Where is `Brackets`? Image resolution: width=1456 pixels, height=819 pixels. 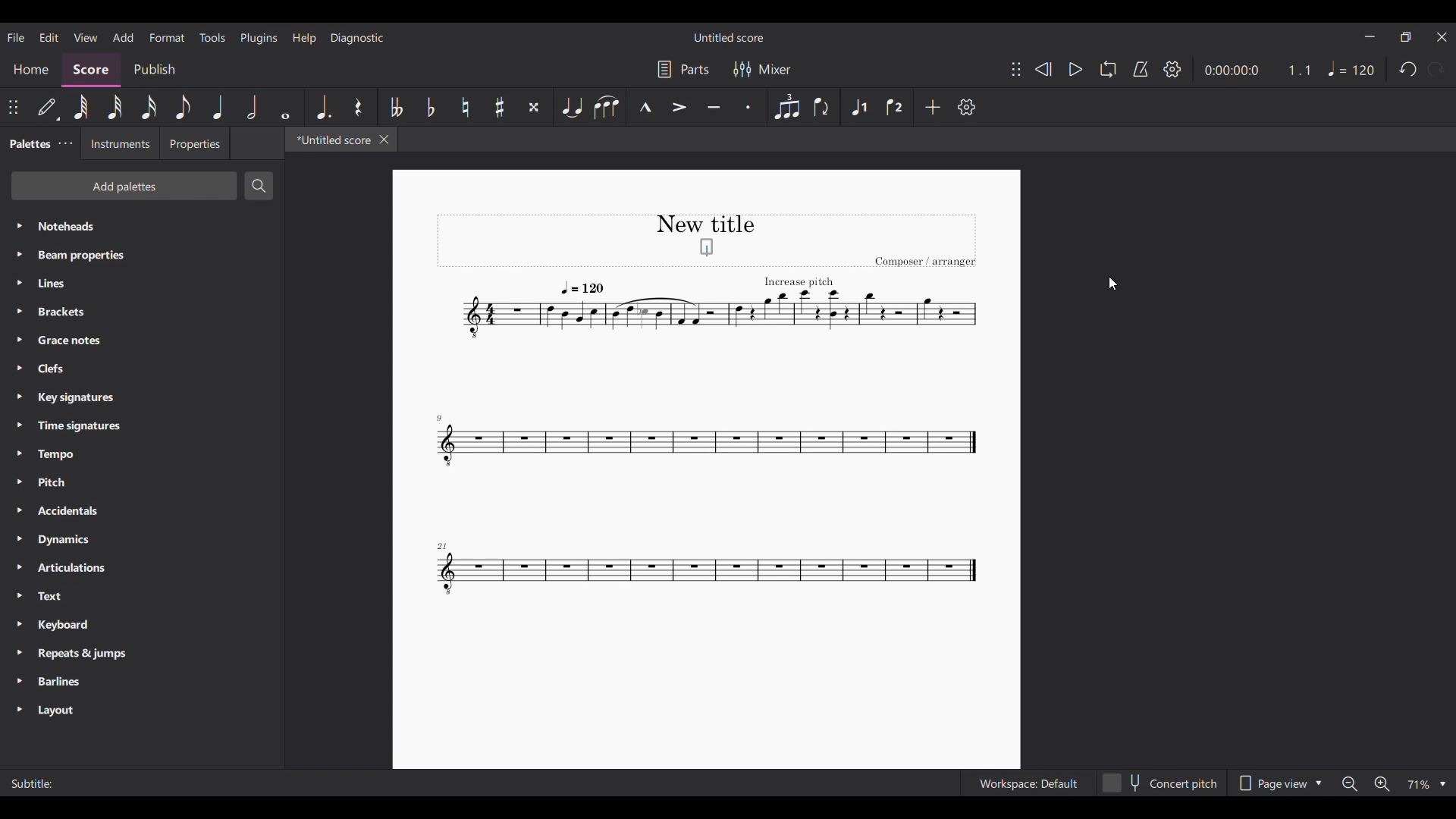 Brackets is located at coordinates (142, 312).